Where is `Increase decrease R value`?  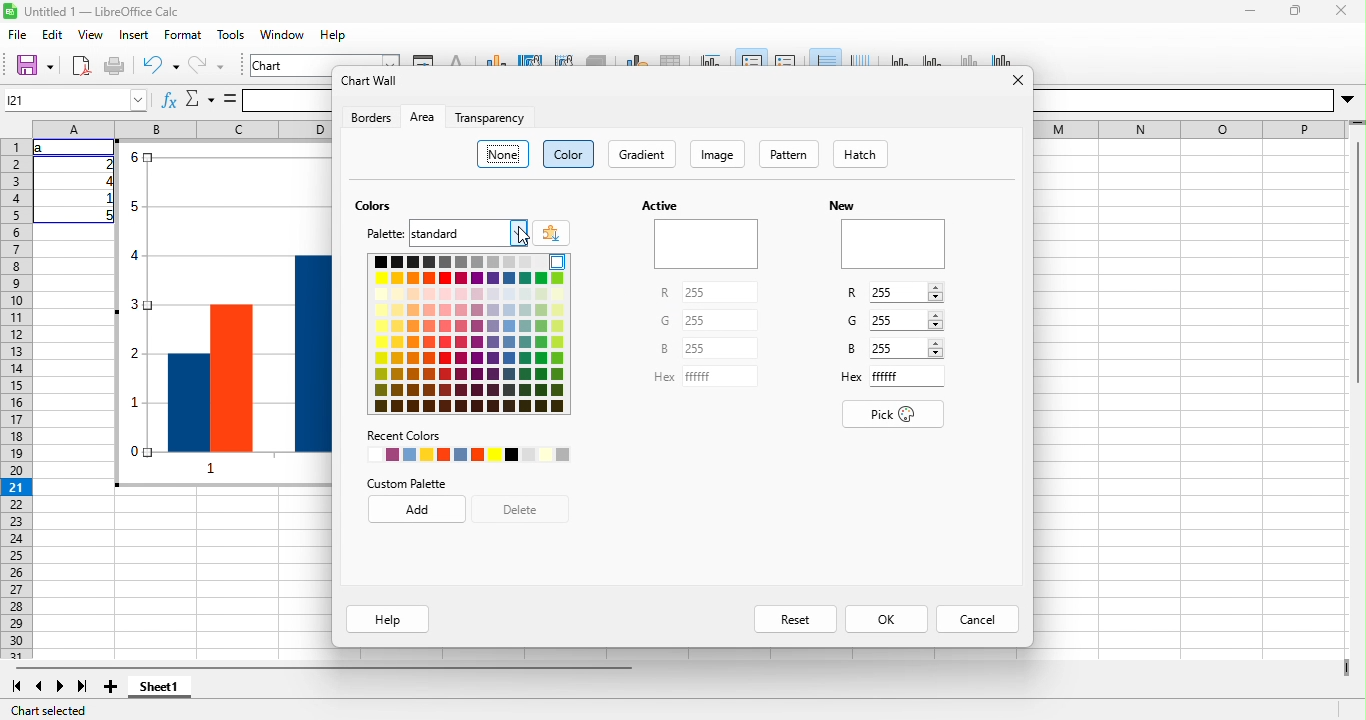 Increase decrease R value is located at coordinates (936, 292).